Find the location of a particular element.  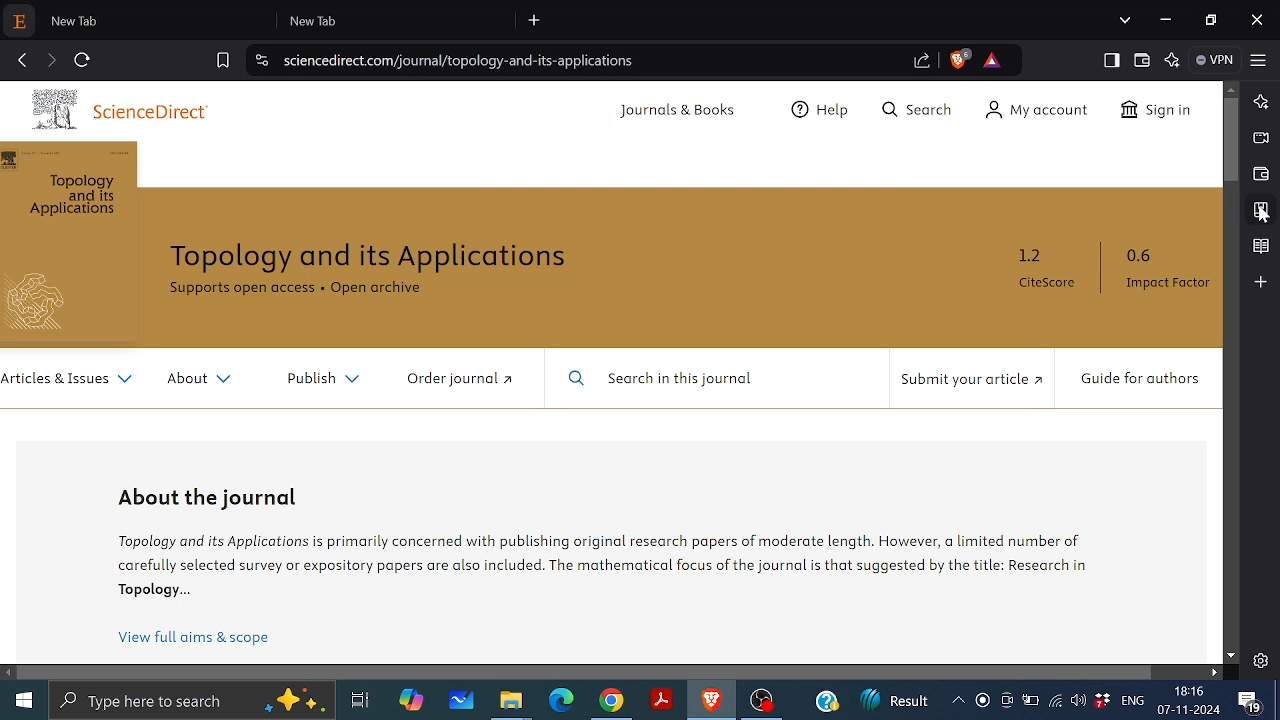

Share link is located at coordinates (922, 62).